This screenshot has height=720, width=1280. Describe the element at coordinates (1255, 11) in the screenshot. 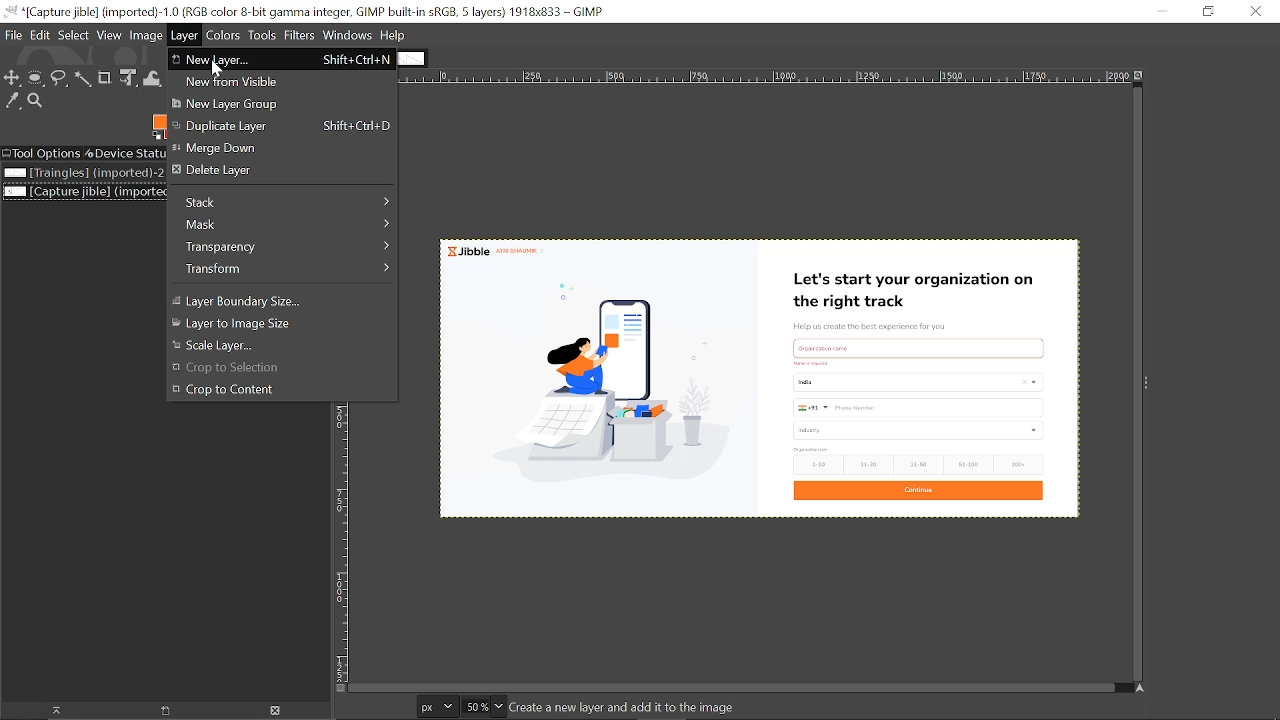

I see `Cose` at that location.